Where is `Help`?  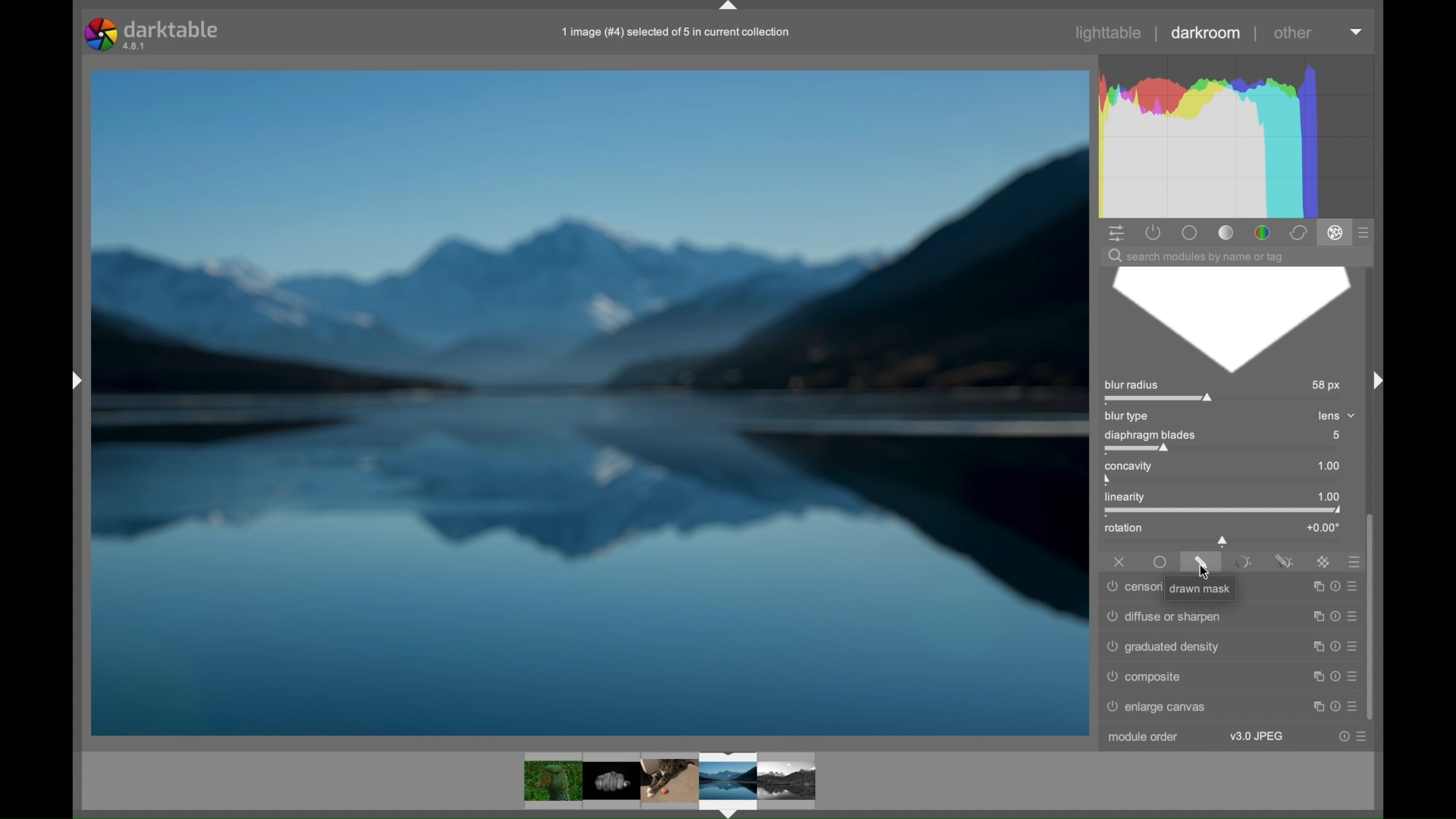
Help is located at coordinates (1335, 704).